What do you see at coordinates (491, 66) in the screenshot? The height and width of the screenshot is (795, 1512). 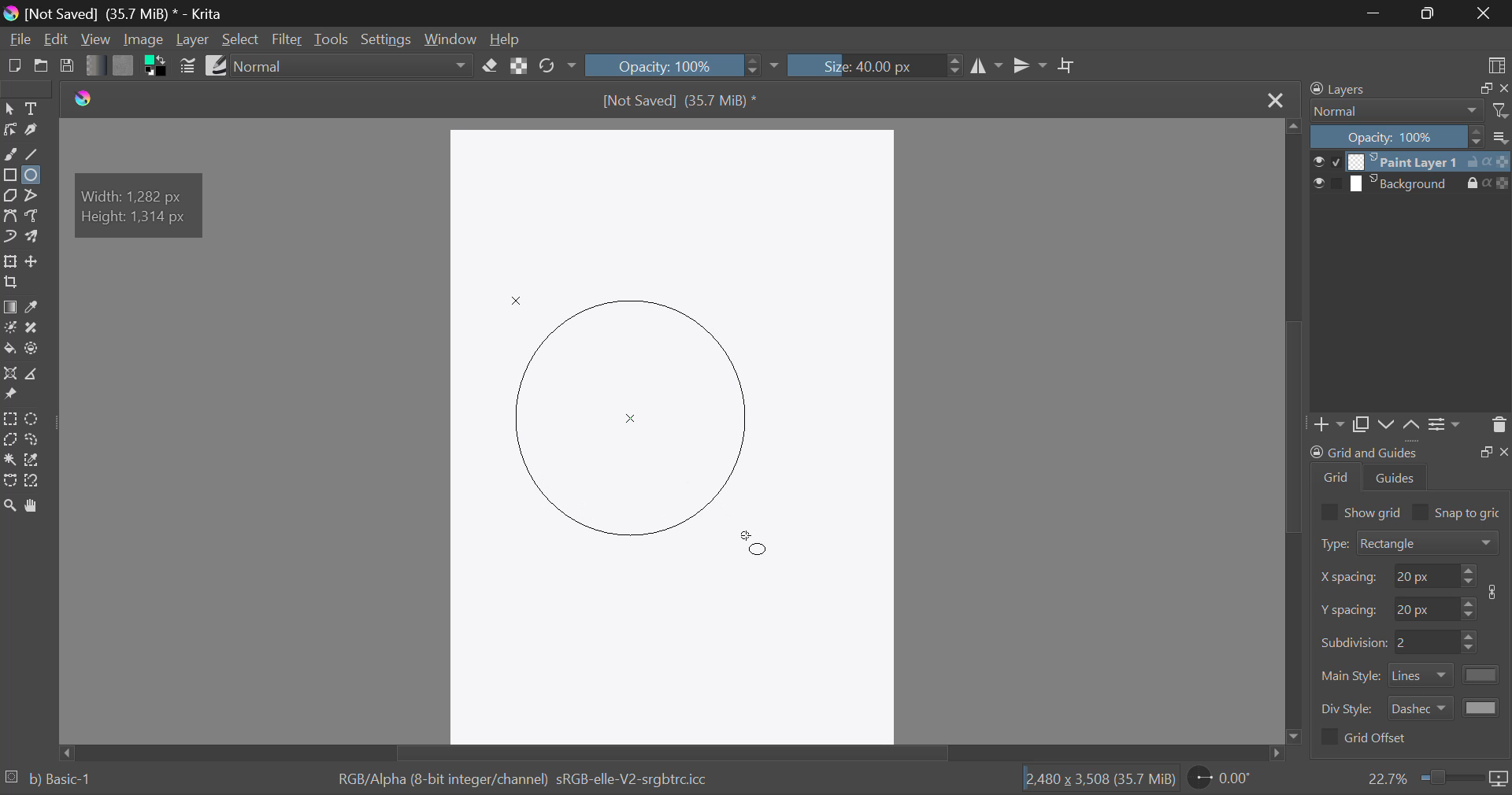 I see `Eraser` at bounding box center [491, 66].